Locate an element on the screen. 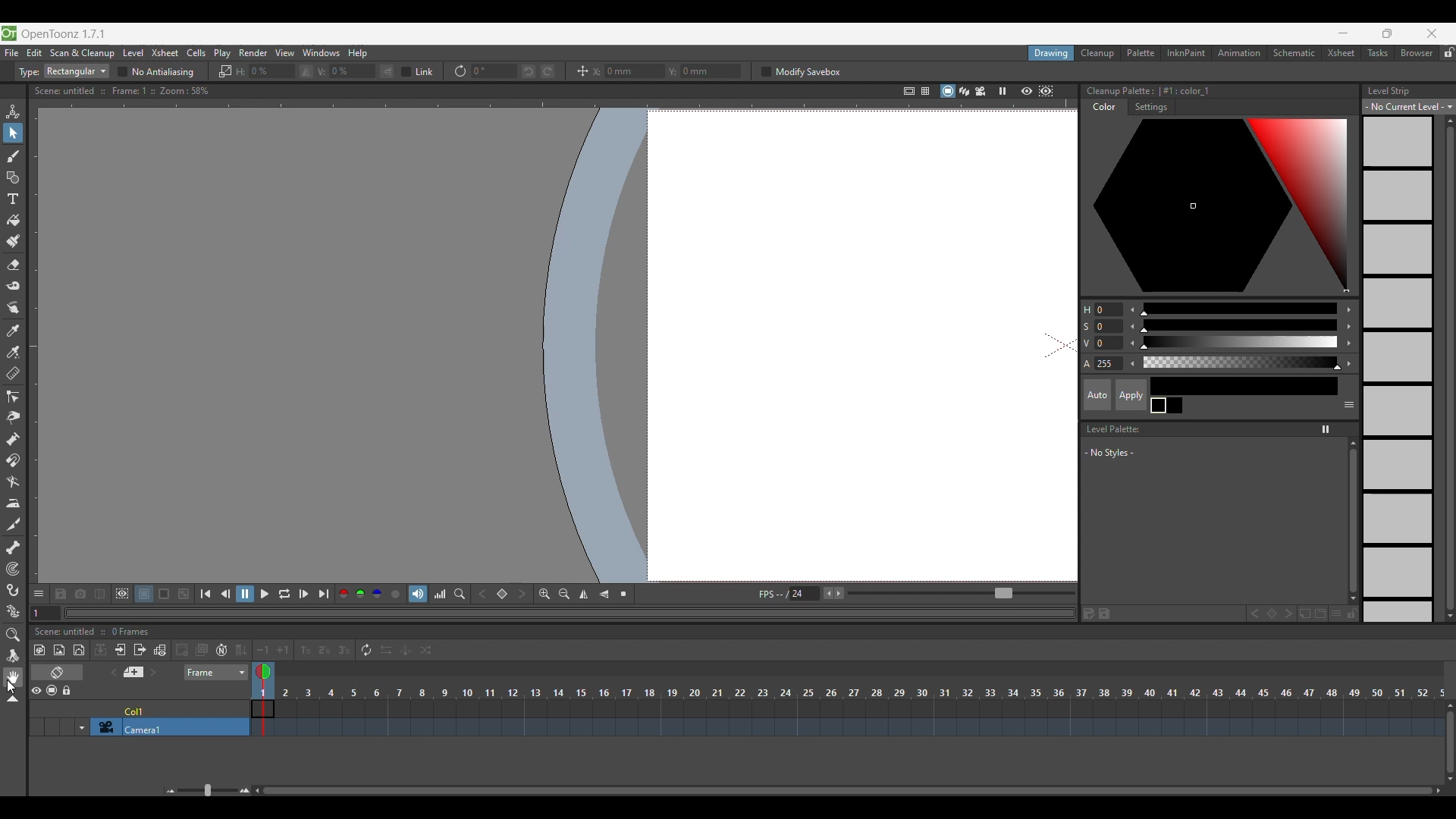 The height and width of the screenshot is (819, 1456). Increase color modification is located at coordinates (1349, 337).